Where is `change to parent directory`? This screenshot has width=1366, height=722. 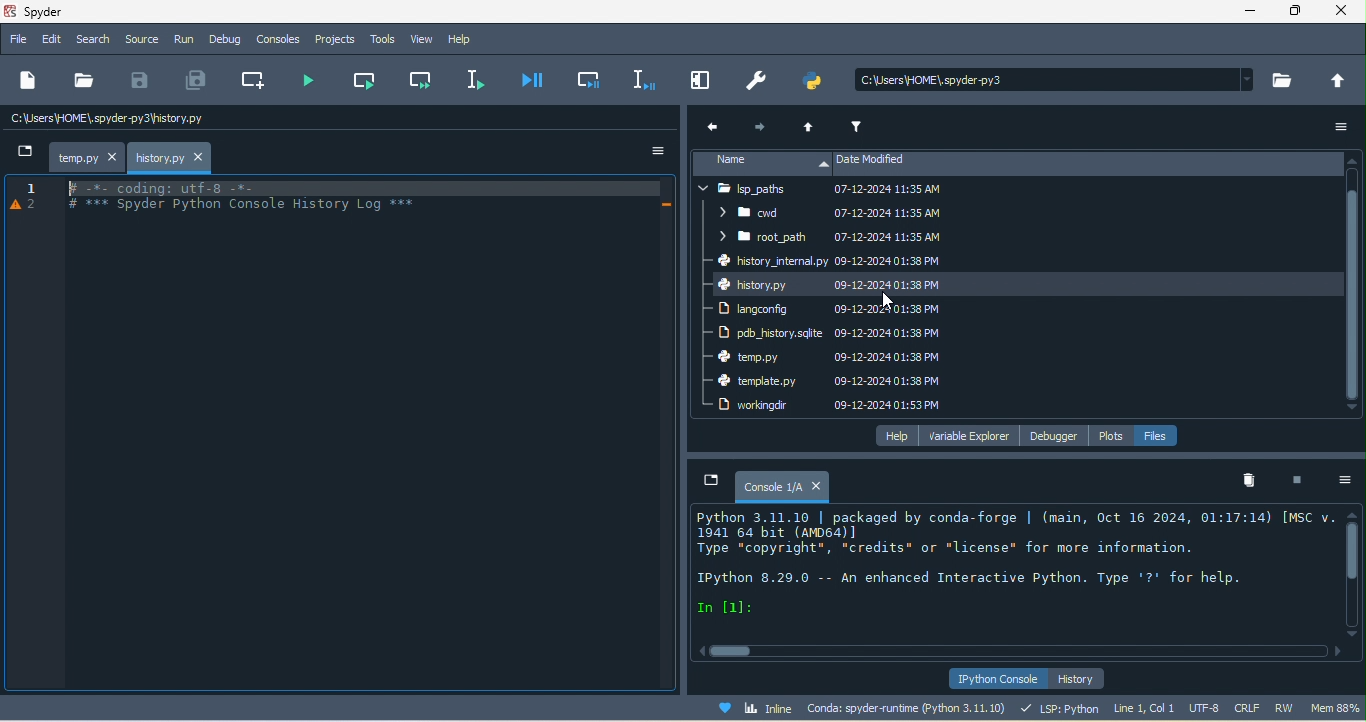
change to parent directory is located at coordinates (1332, 80).